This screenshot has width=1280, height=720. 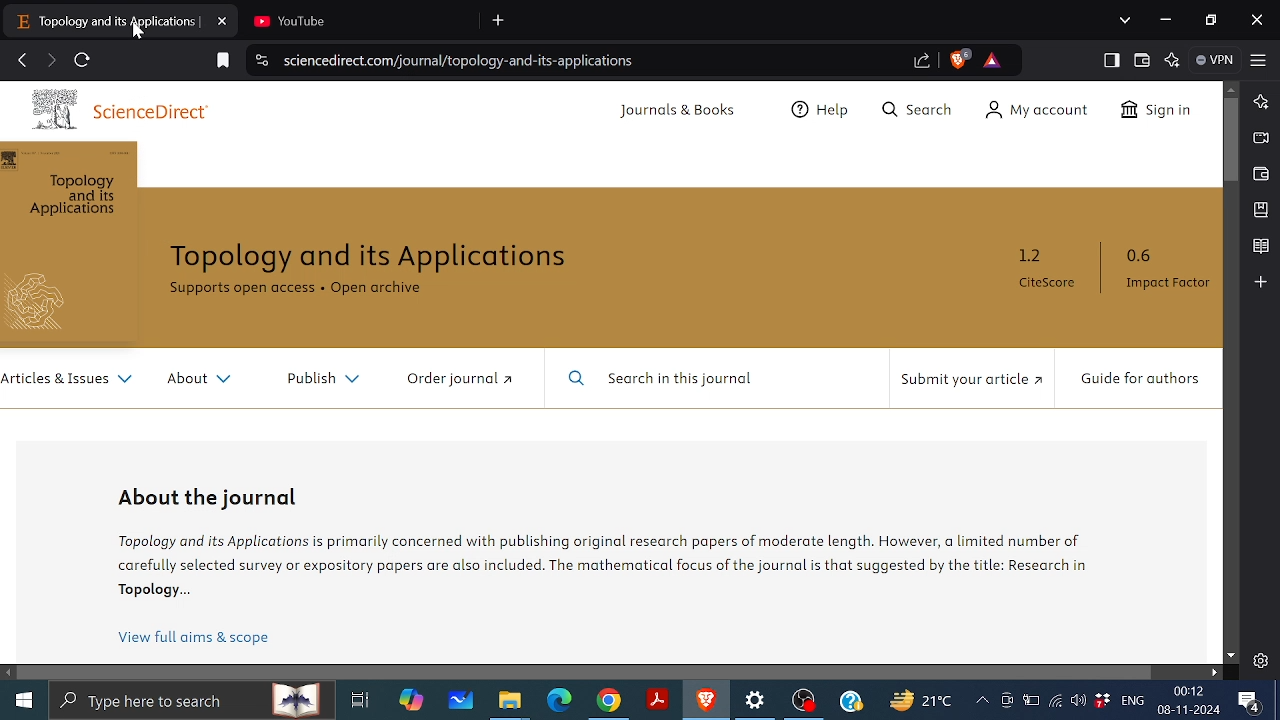 I want to click on Current tab, so click(x=104, y=20).